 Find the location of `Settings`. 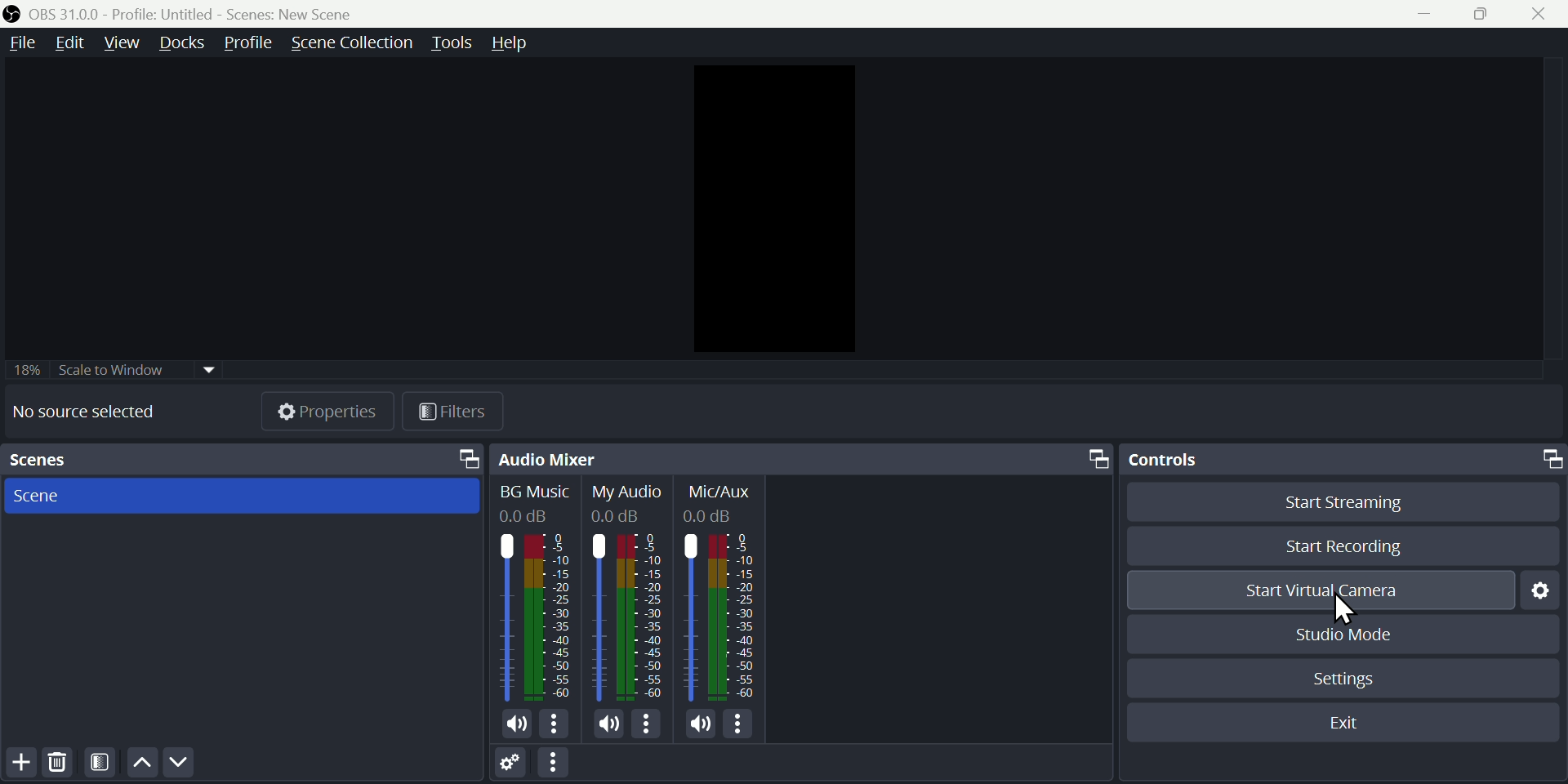

Settings is located at coordinates (1539, 590).